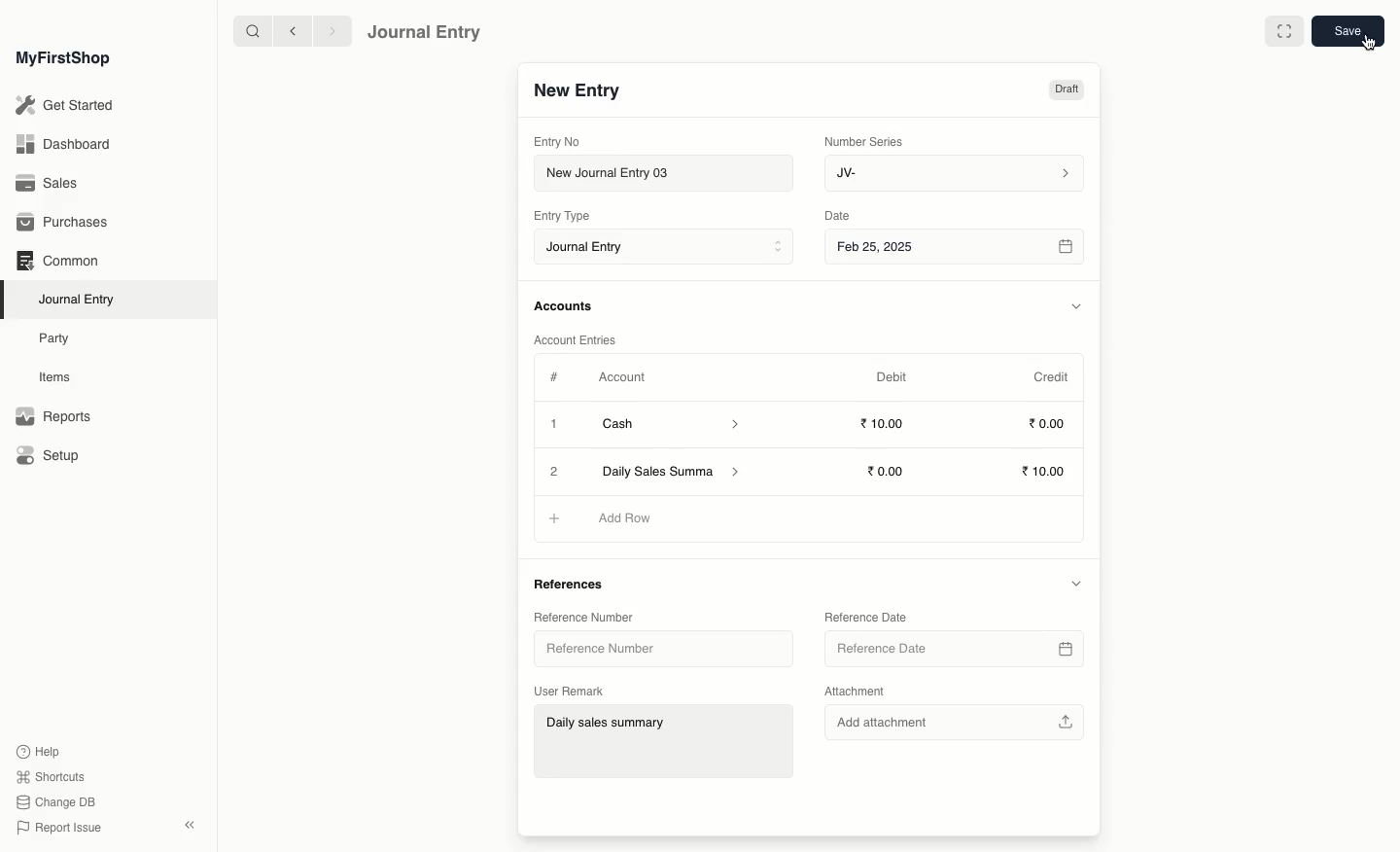 Image resolution: width=1400 pixels, height=852 pixels. I want to click on References, so click(574, 586).